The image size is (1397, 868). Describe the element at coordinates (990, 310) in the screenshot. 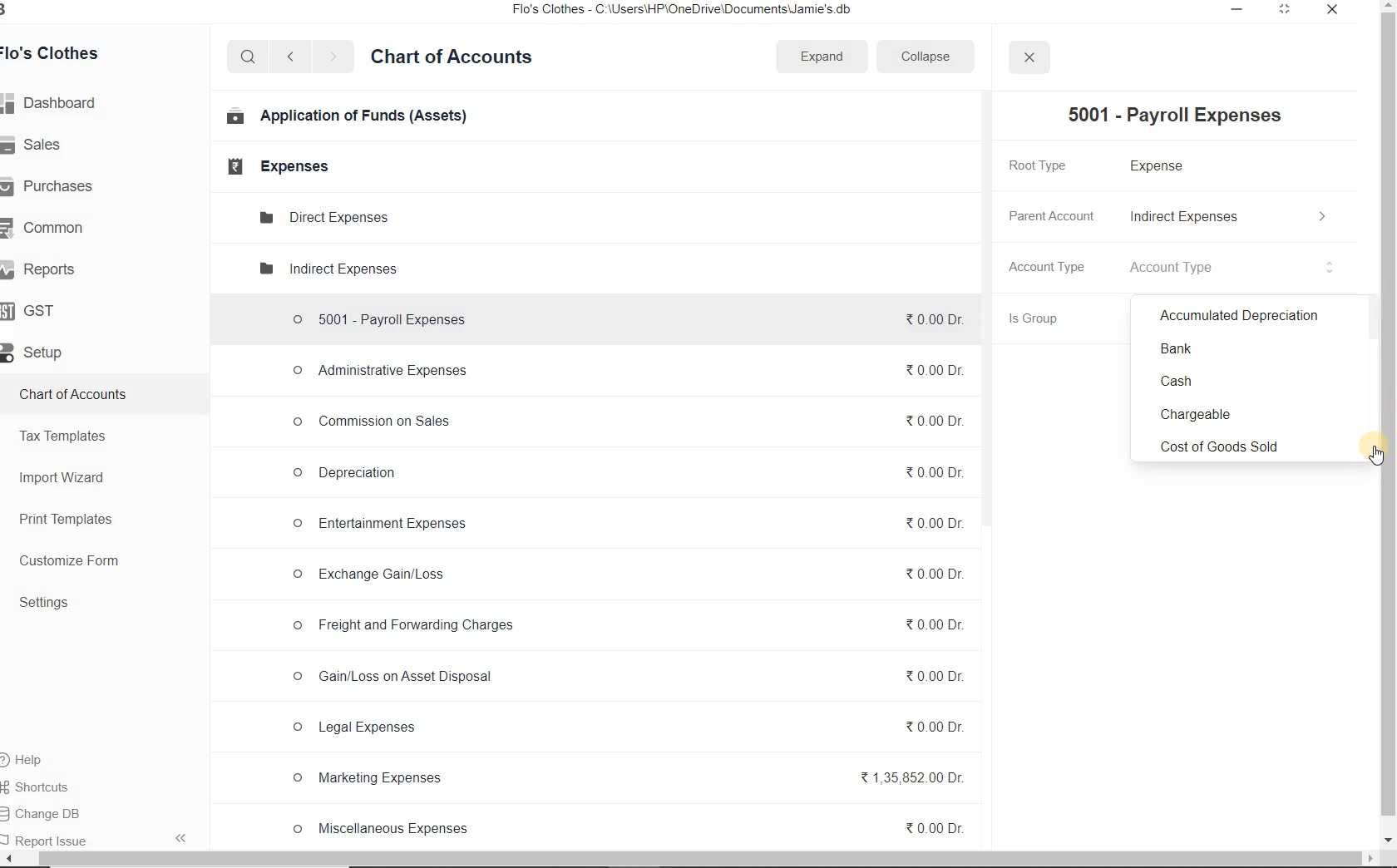

I see `vertical scrollbar` at that location.